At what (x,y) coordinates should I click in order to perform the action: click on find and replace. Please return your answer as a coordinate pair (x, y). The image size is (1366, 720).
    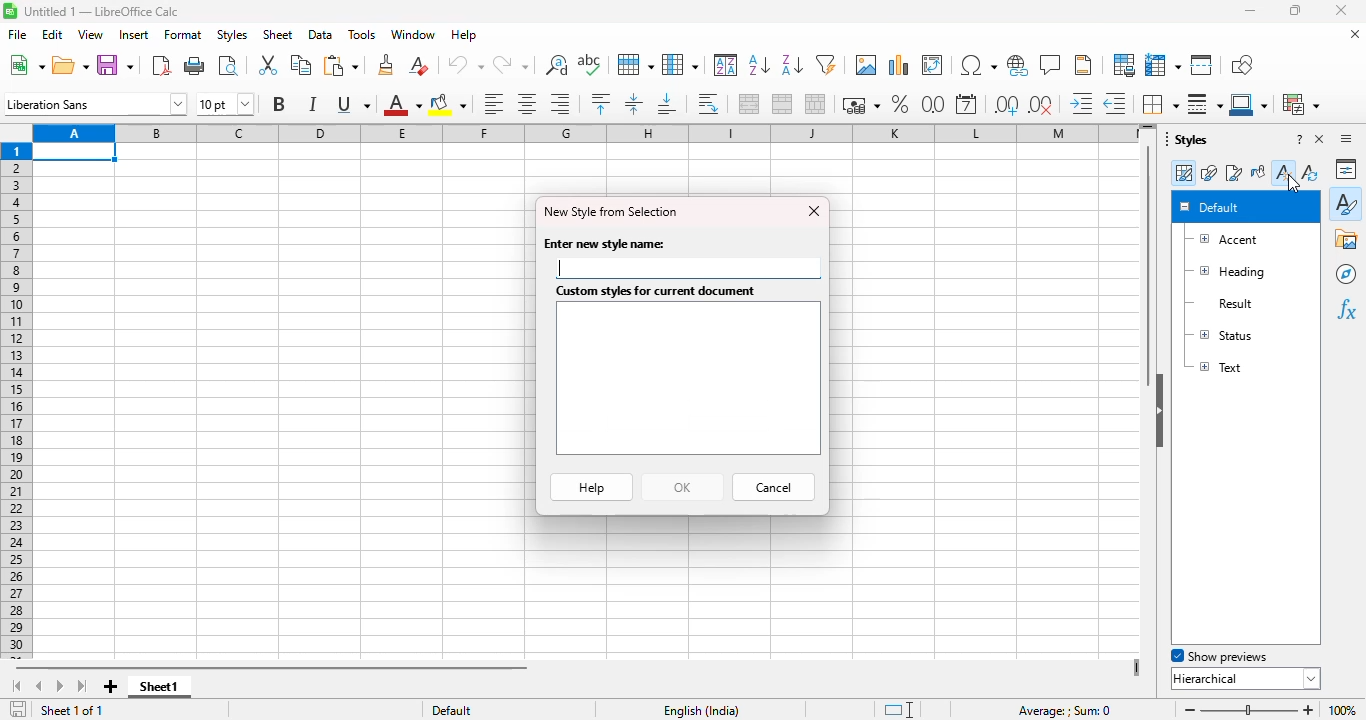
    Looking at the image, I should click on (557, 65).